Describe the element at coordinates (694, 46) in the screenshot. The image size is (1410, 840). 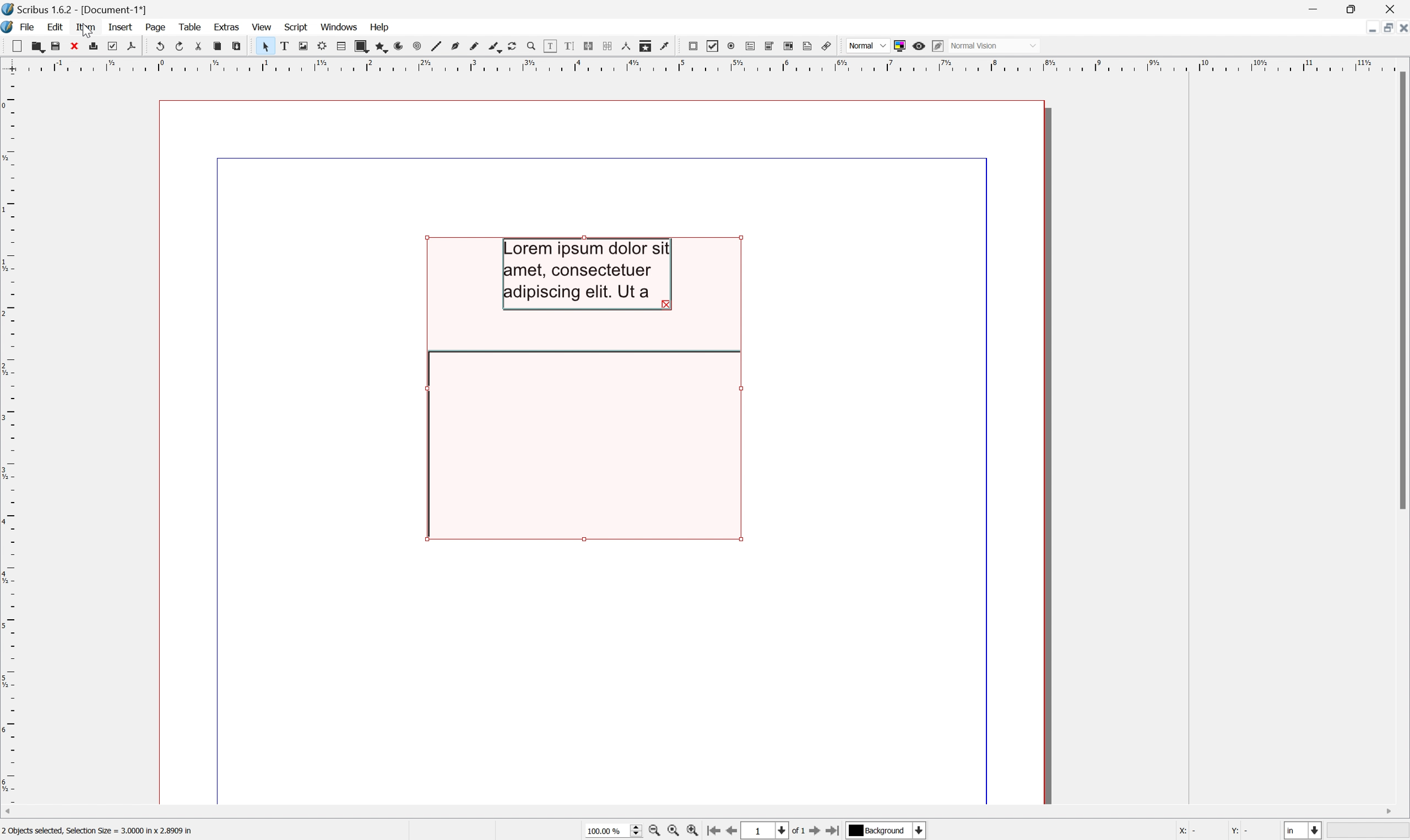
I see `PDF push button` at that location.